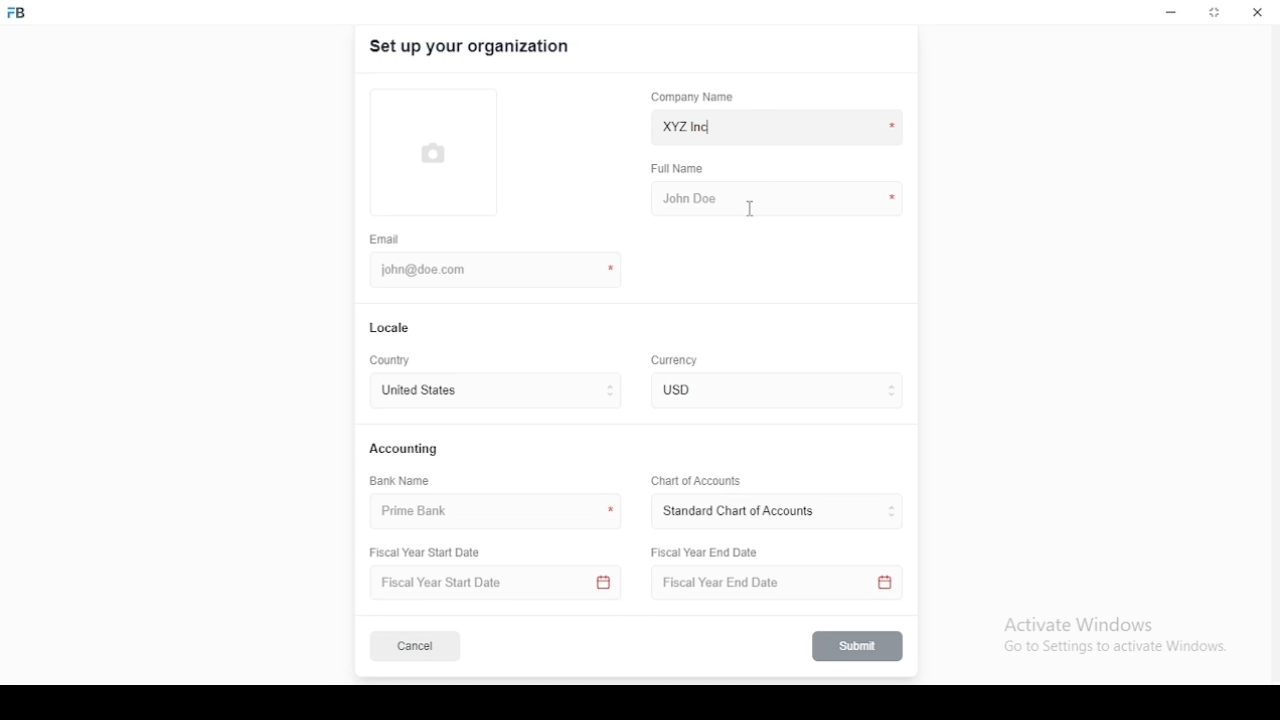 The image size is (1280, 720). I want to click on Chart of Accounts, so click(693, 480).